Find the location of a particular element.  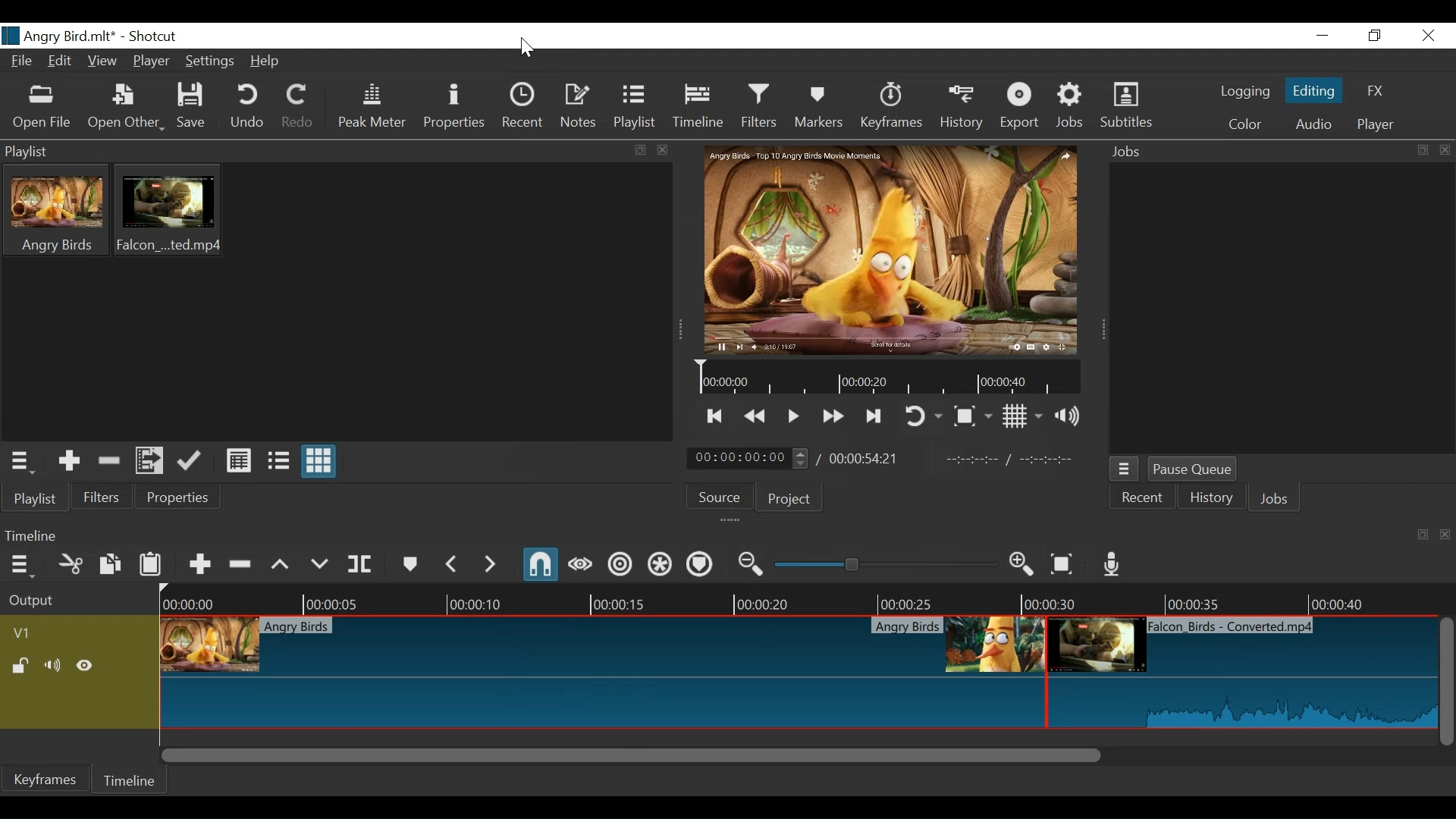

Timeline  is located at coordinates (888, 377).